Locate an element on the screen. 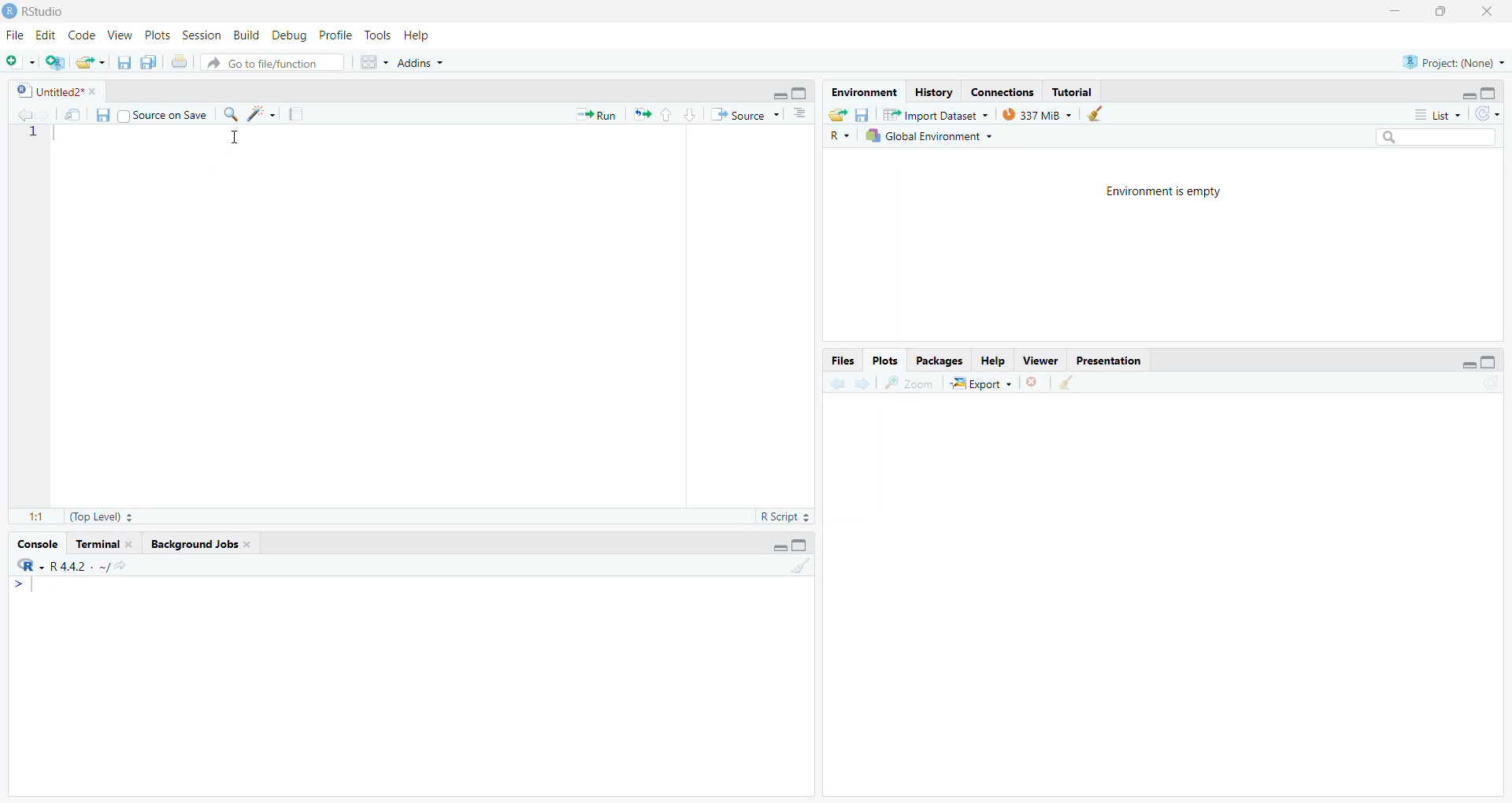  save current document is located at coordinates (124, 63).